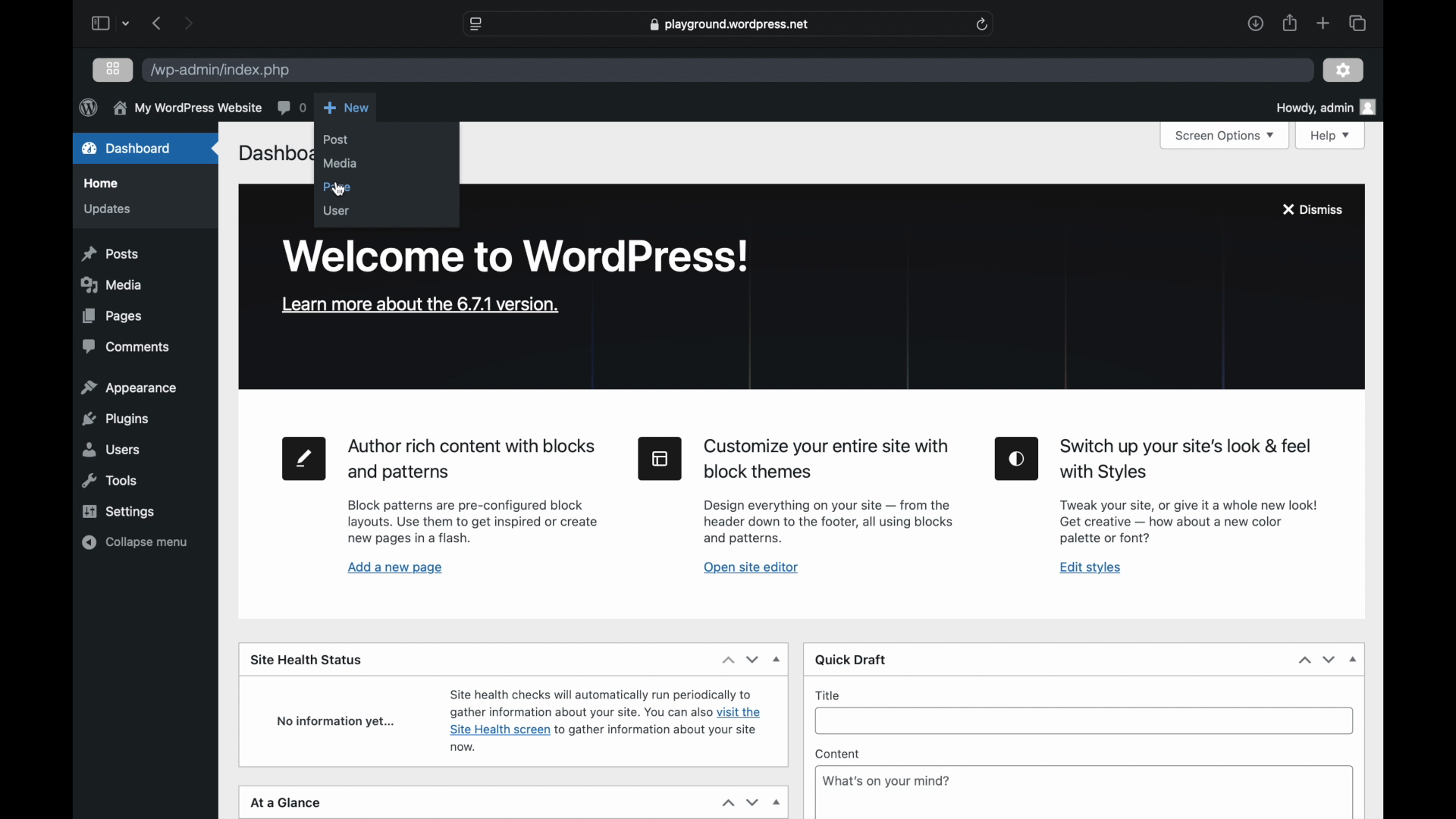 The width and height of the screenshot is (1456, 819). What do you see at coordinates (187, 108) in the screenshot?
I see `my wordpress website` at bounding box center [187, 108].